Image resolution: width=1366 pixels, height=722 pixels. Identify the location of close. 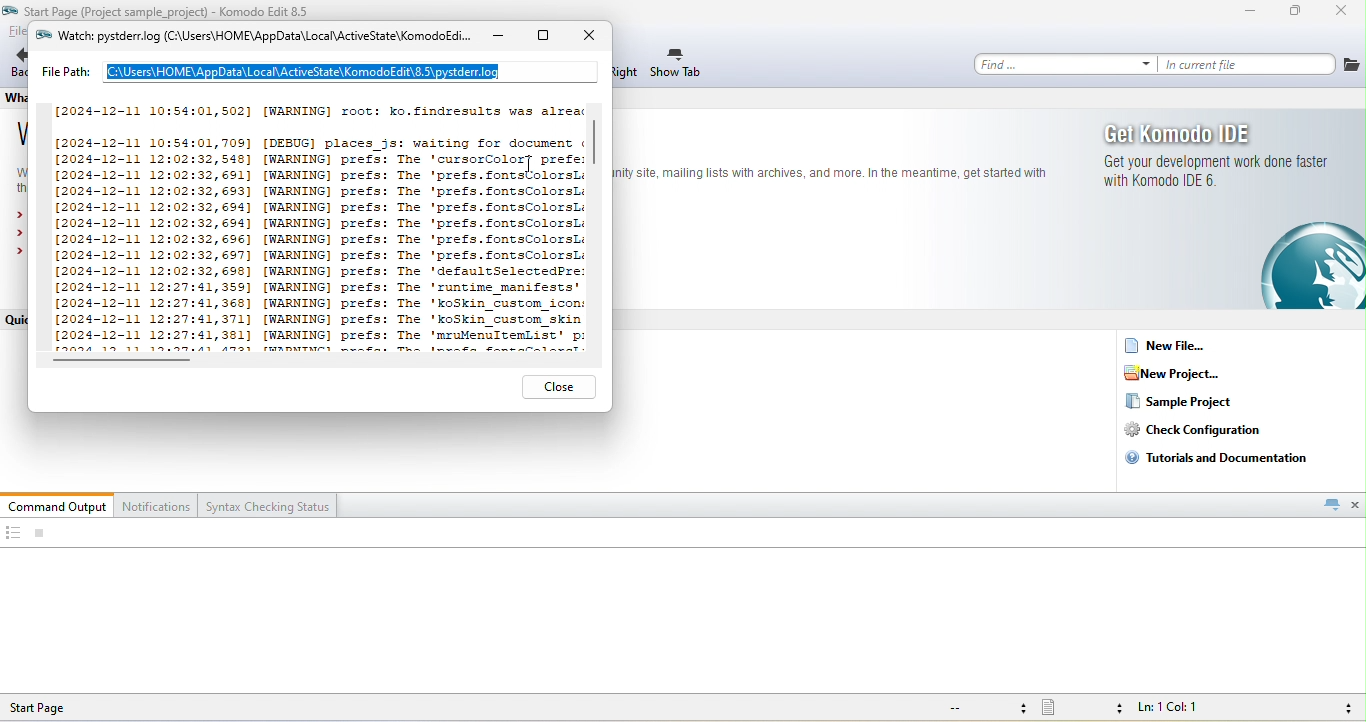
(590, 38).